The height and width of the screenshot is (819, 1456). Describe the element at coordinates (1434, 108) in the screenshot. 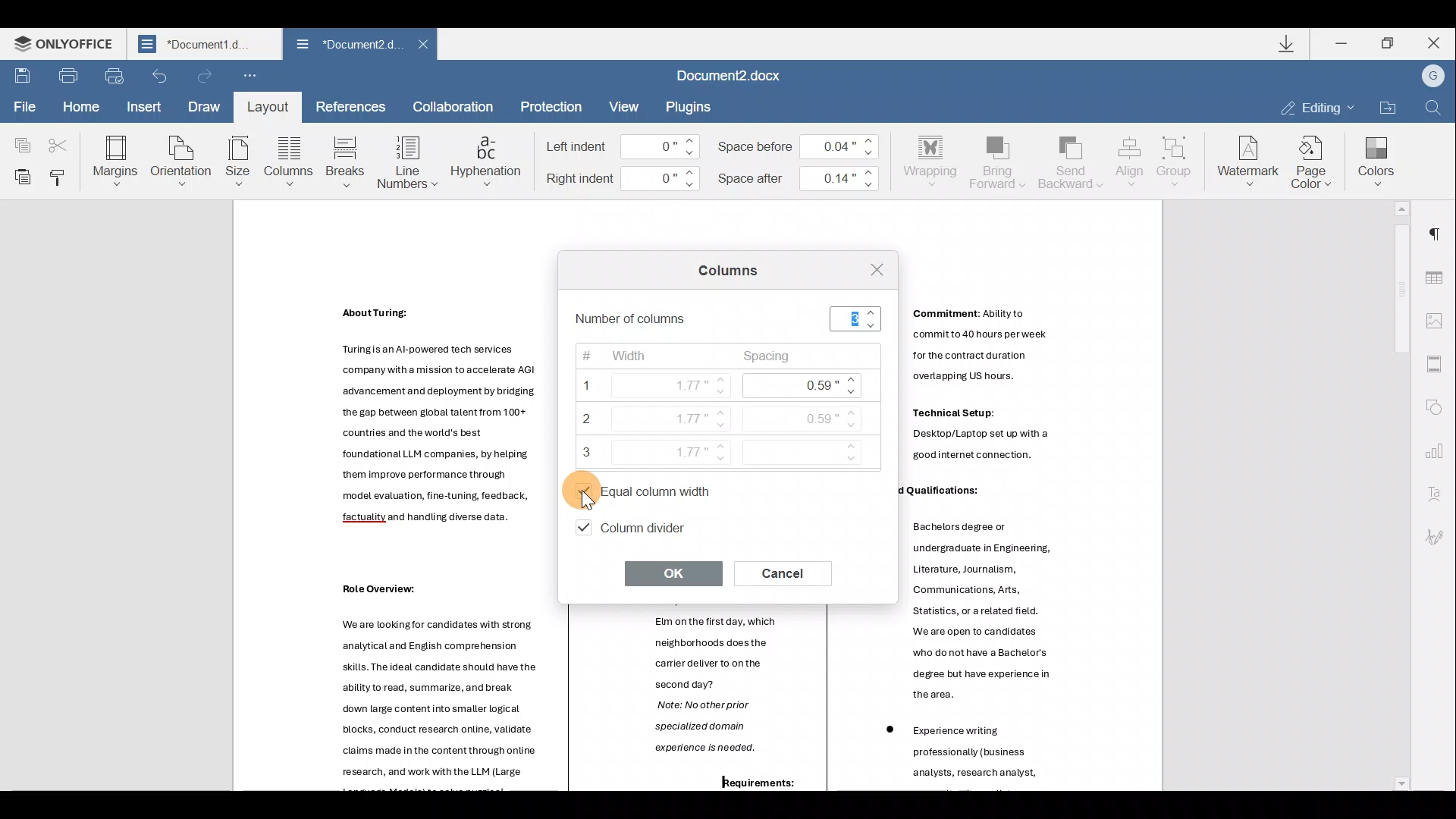

I see `Find` at that location.